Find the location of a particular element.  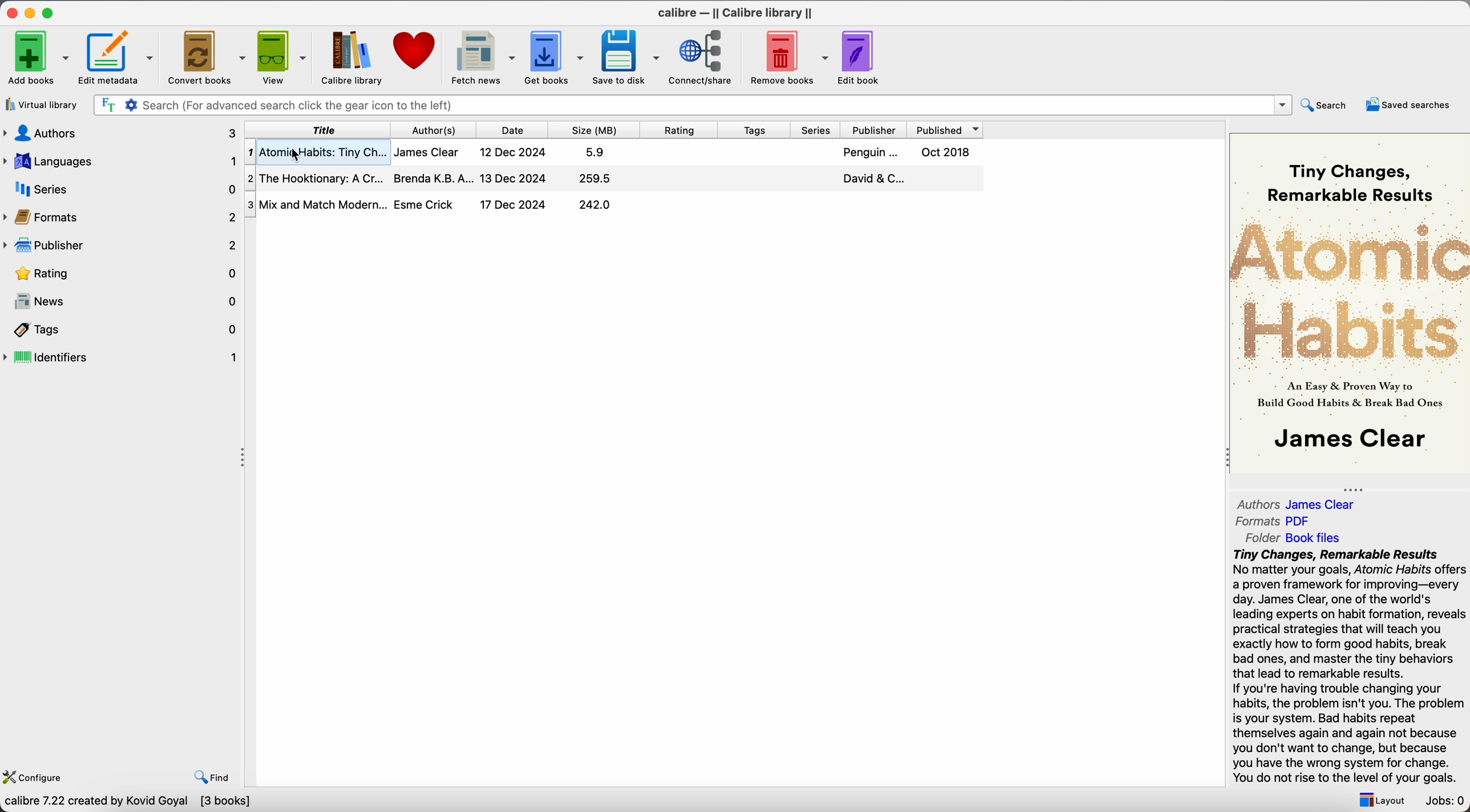

Jobs: 0 is located at coordinates (1445, 799).